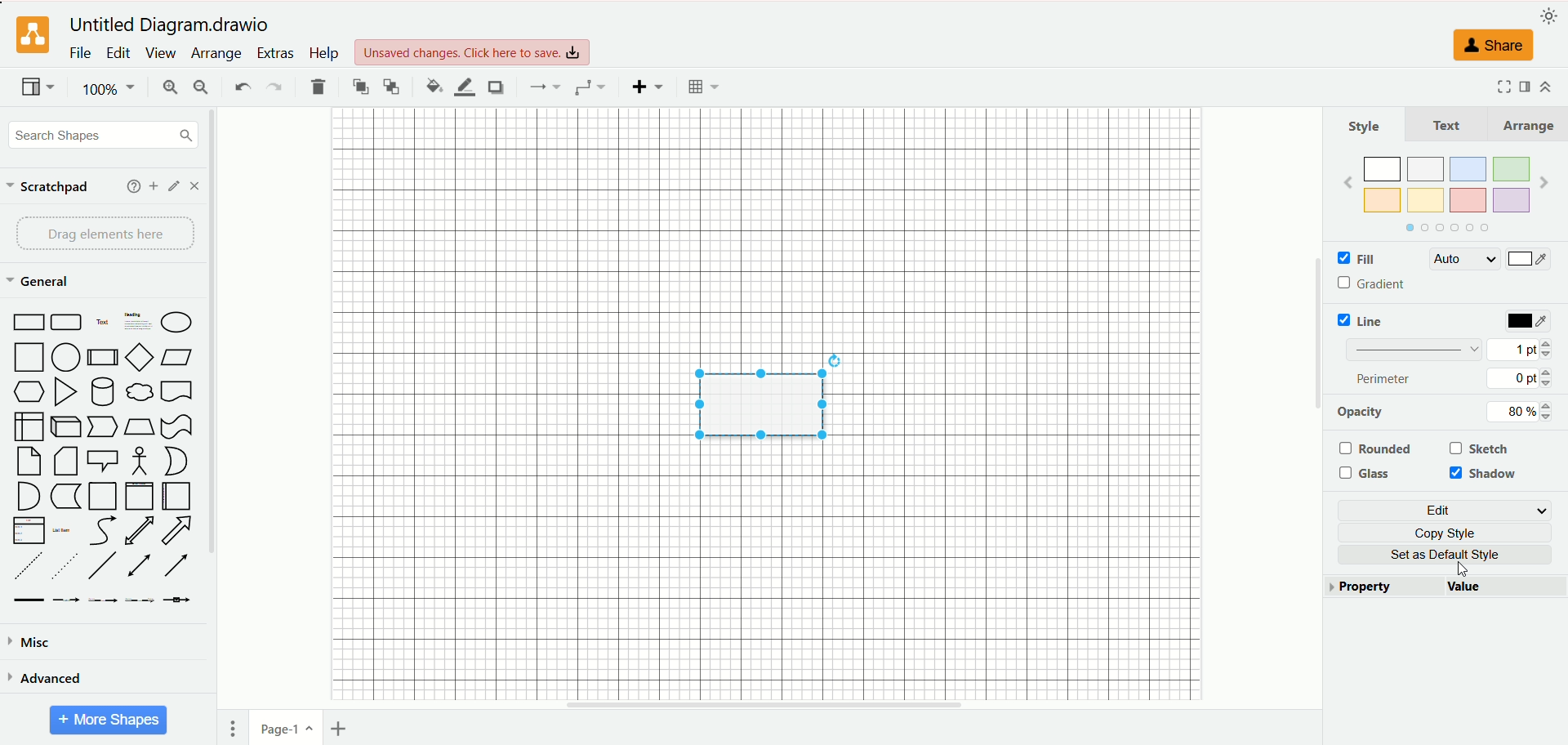  I want to click on arrange, so click(218, 54).